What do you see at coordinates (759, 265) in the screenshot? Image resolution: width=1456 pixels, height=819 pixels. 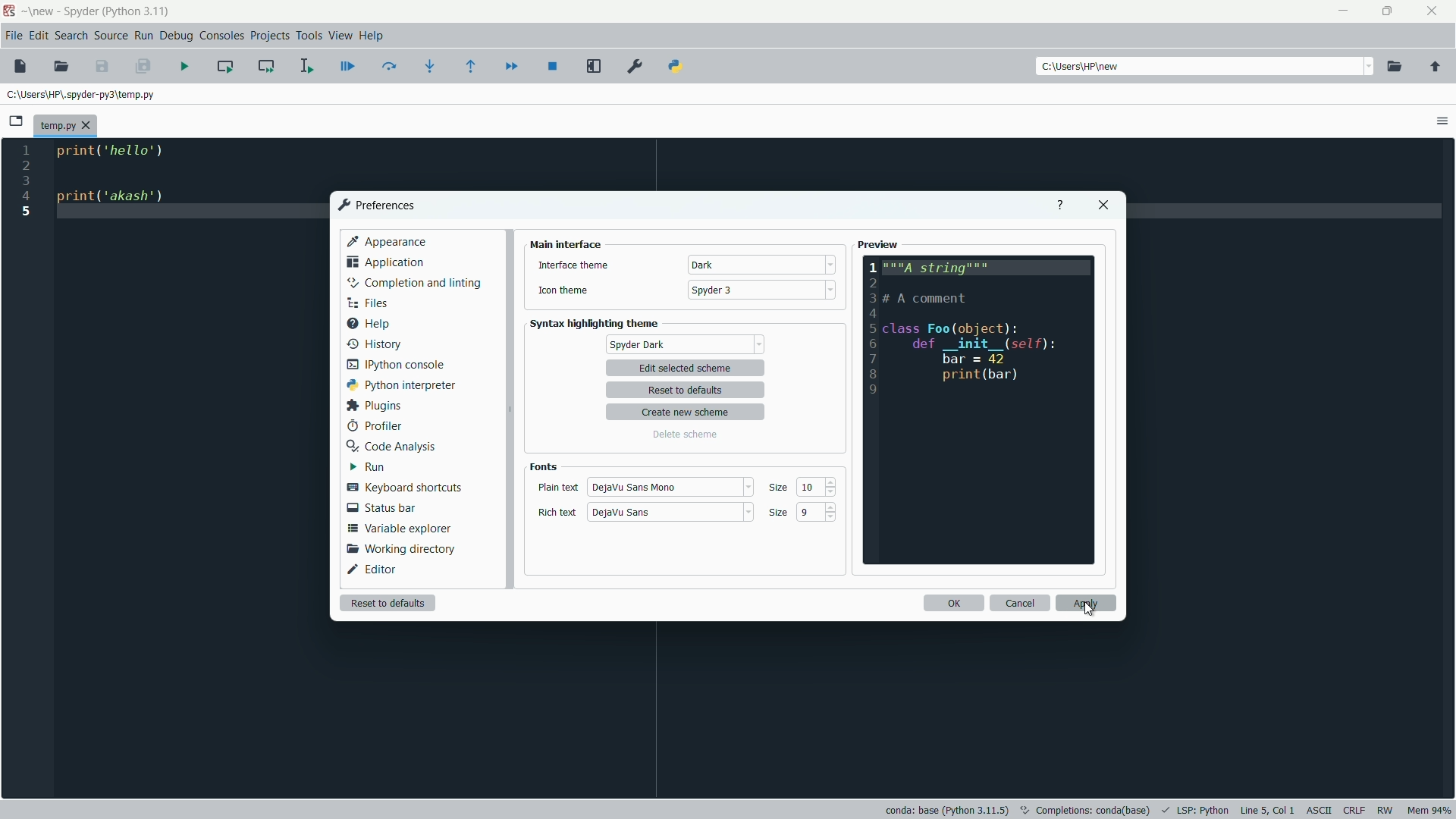 I see `theme dropdown` at bounding box center [759, 265].